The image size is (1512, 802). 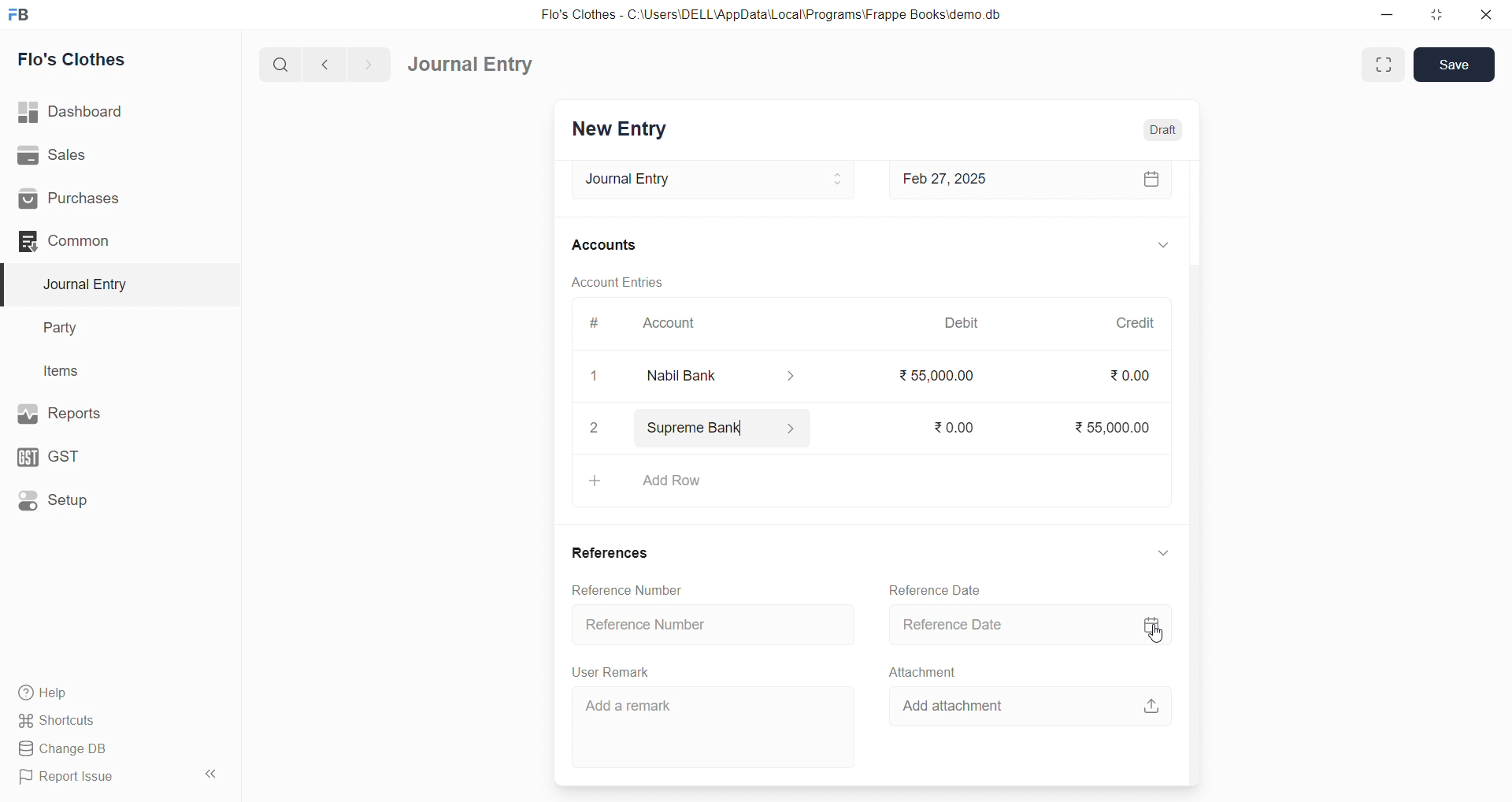 What do you see at coordinates (598, 430) in the screenshot?
I see `2` at bounding box center [598, 430].